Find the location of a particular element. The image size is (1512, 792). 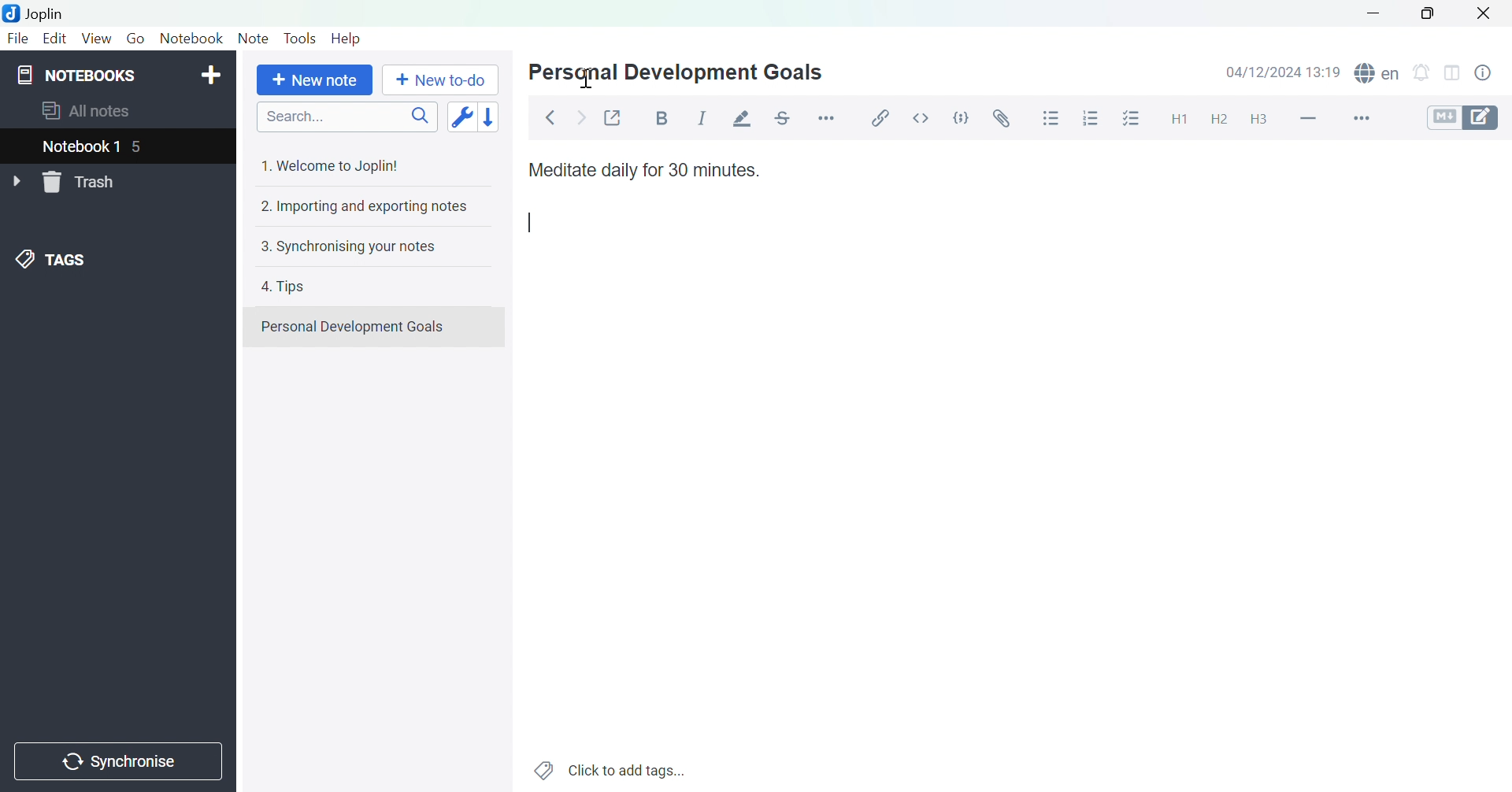

Meditate daily for 30 minutes is located at coordinates (643, 169).